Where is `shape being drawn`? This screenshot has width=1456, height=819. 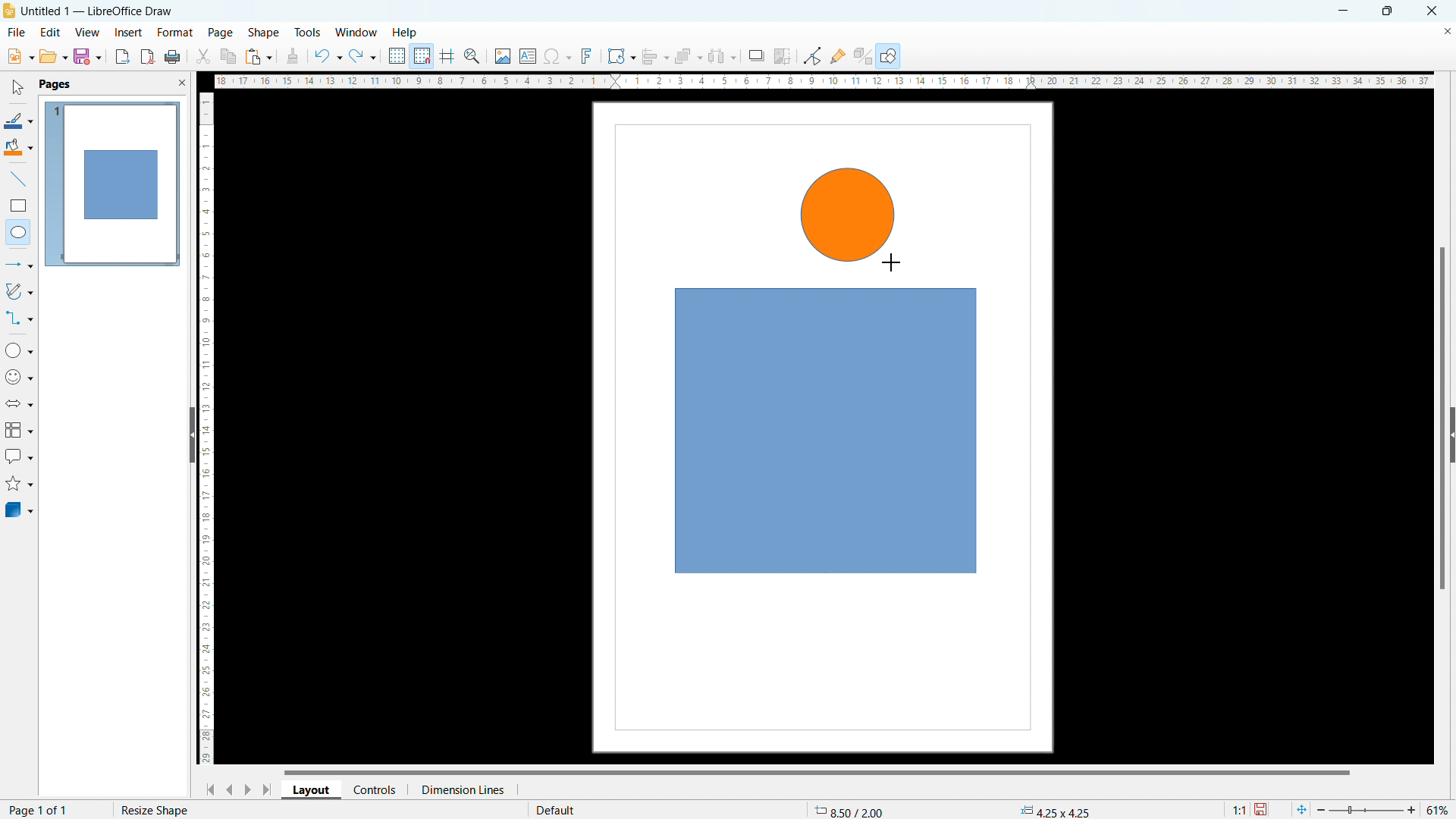 shape being drawn is located at coordinates (849, 215).